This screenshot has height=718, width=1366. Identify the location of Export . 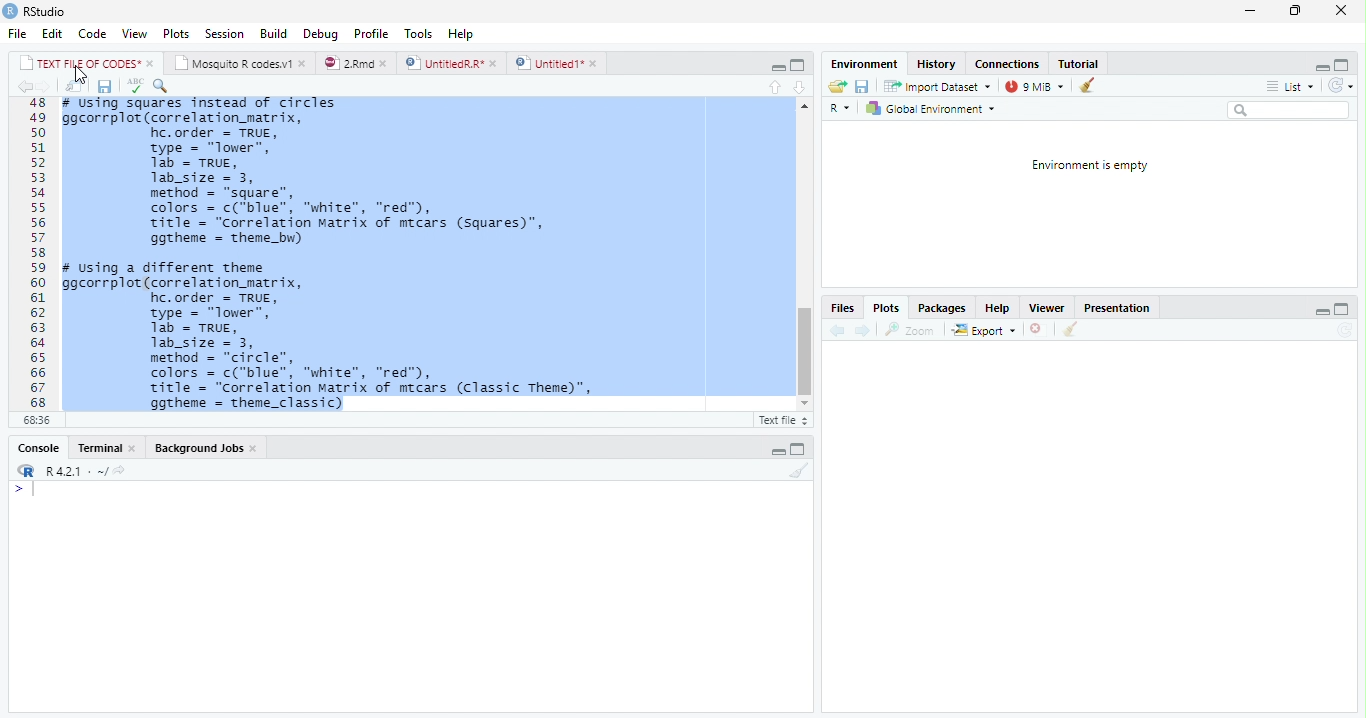
(983, 330).